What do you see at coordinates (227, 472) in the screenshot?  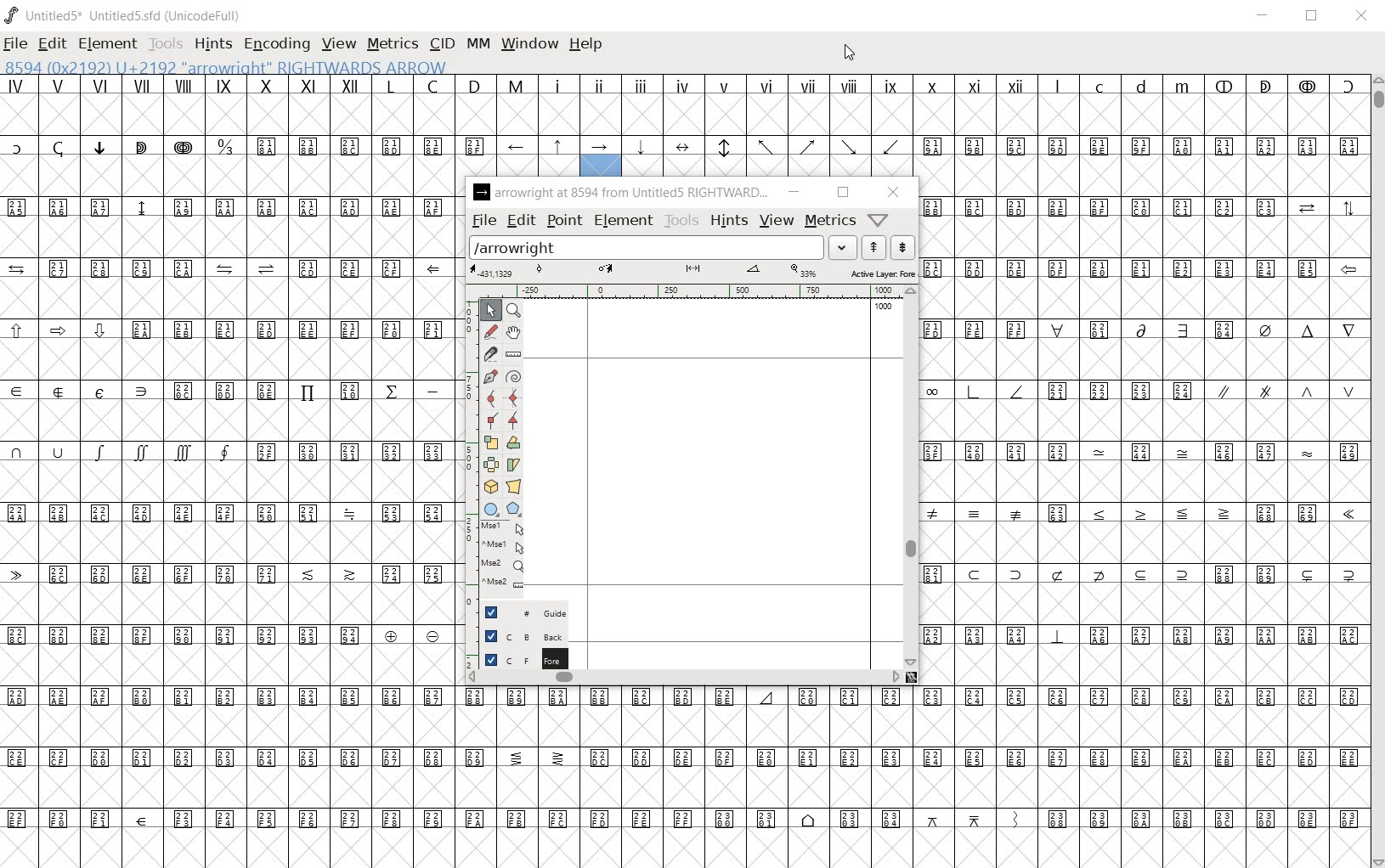 I see `glyph characters` at bounding box center [227, 472].